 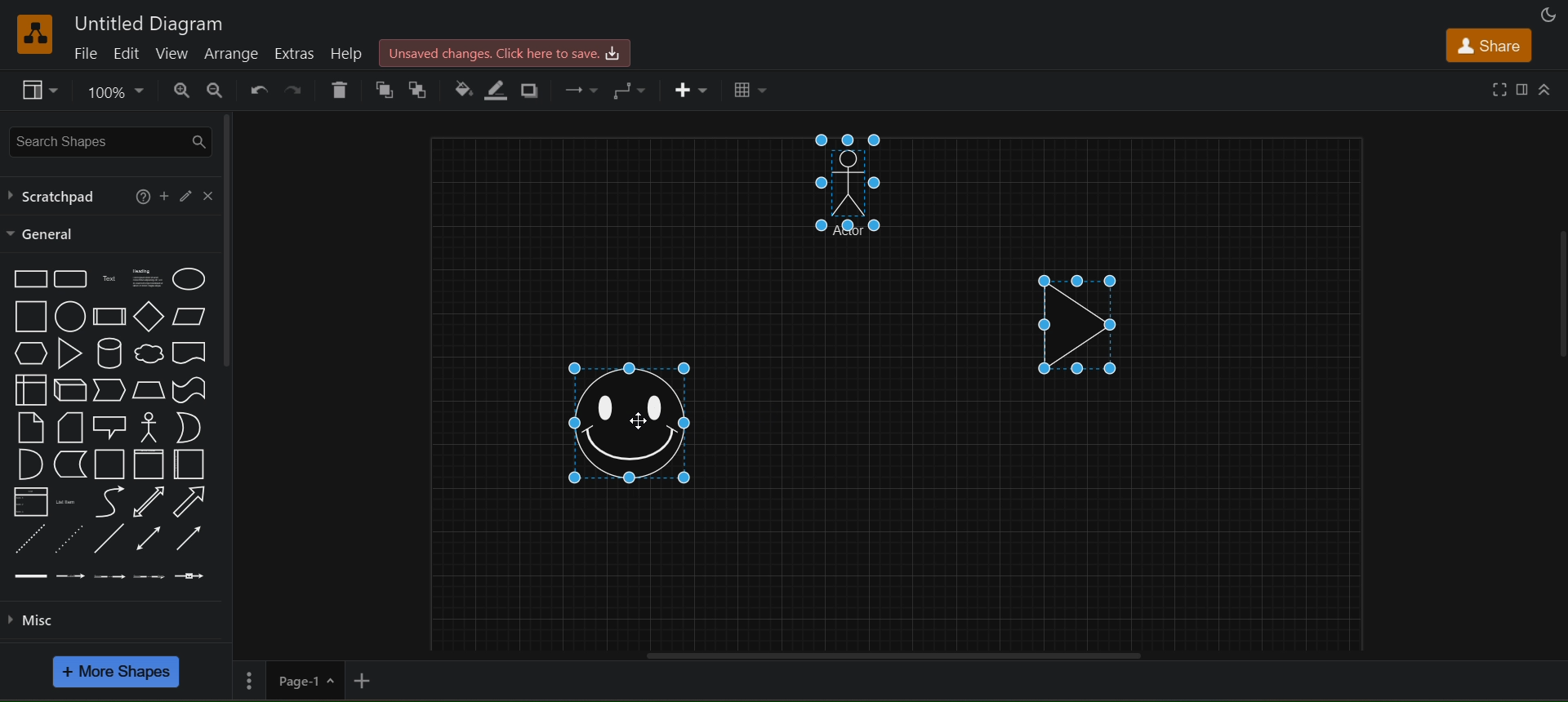 What do you see at coordinates (29, 317) in the screenshot?
I see `square` at bounding box center [29, 317].